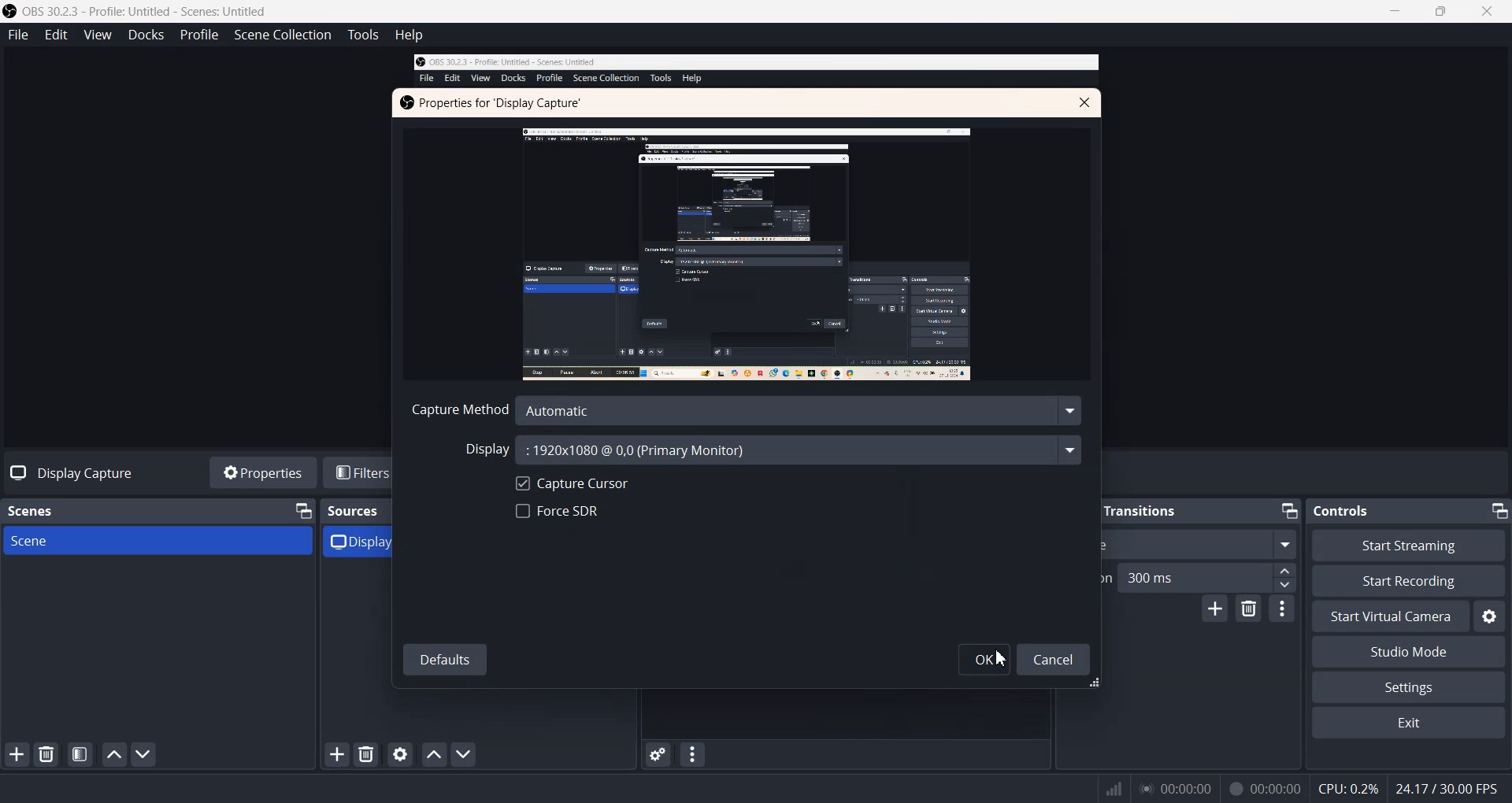 Image resolution: width=1512 pixels, height=803 pixels. What do you see at coordinates (1407, 653) in the screenshot?
I see `Studio Mode` at bounding box center [1407, 653].